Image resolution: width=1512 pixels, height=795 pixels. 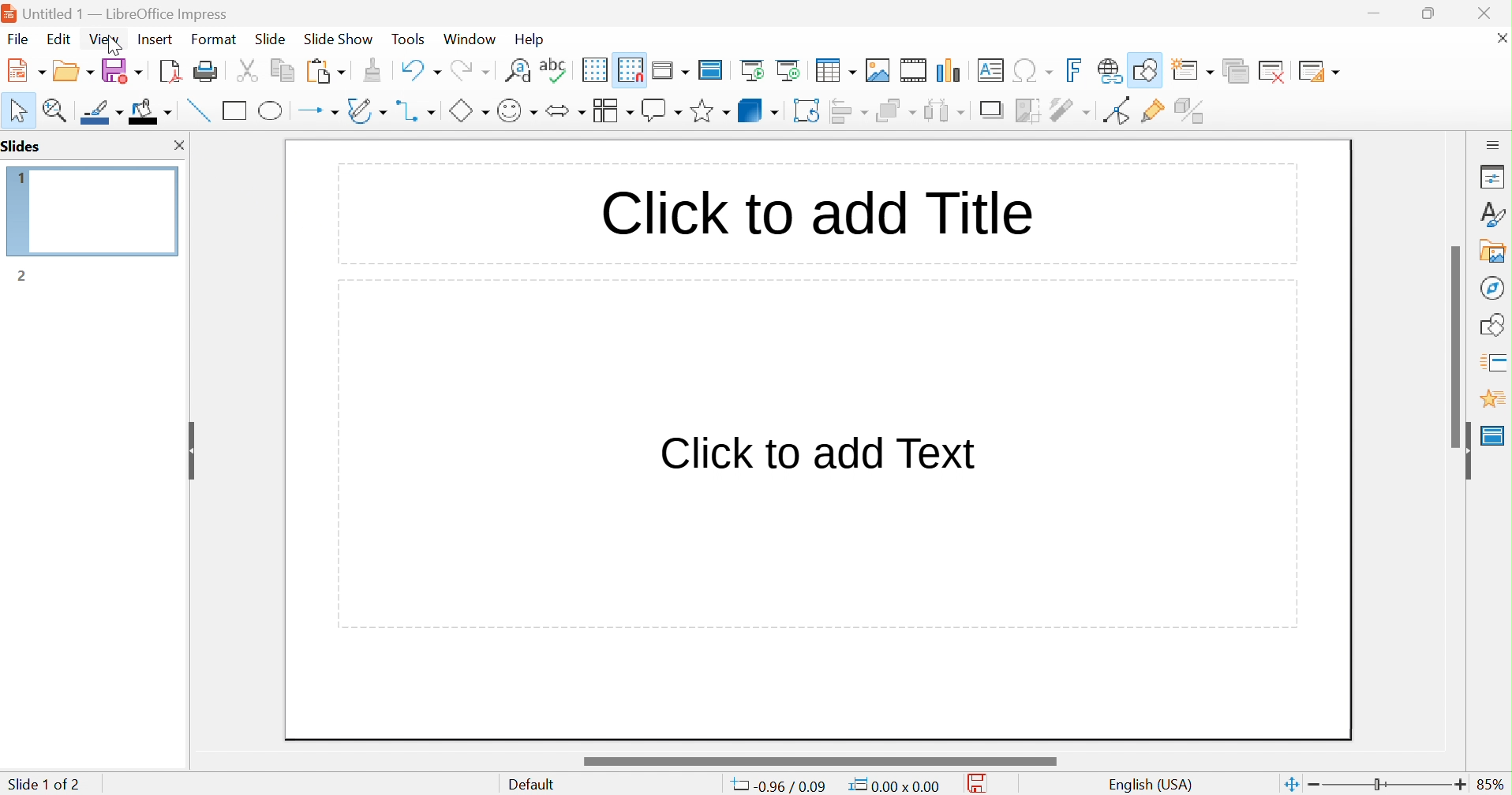 I want to click on toggle extrusion, so click(x=1192, y=110).